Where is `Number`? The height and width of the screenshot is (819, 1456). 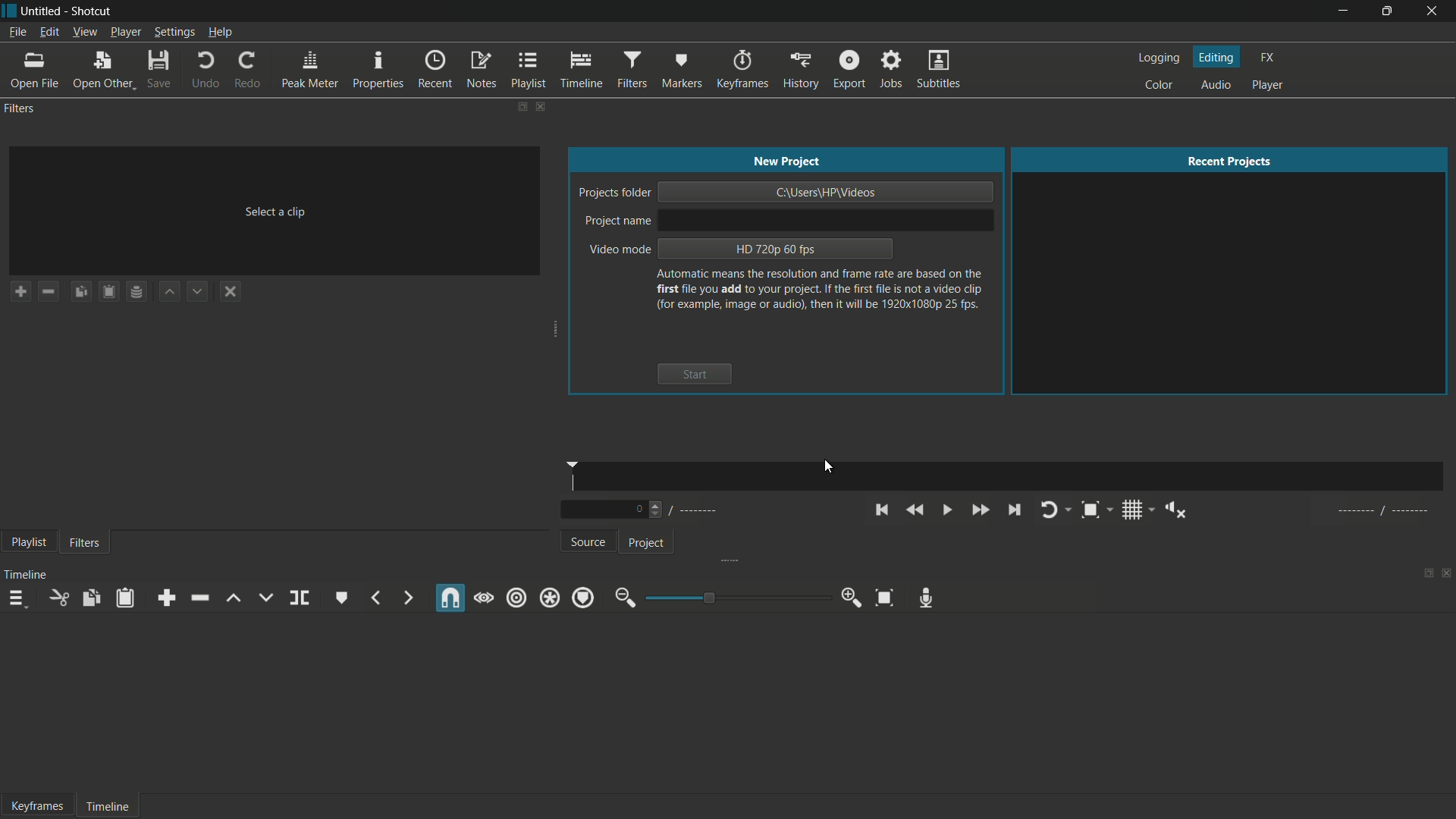 Number is located at coordinates (642, 510).